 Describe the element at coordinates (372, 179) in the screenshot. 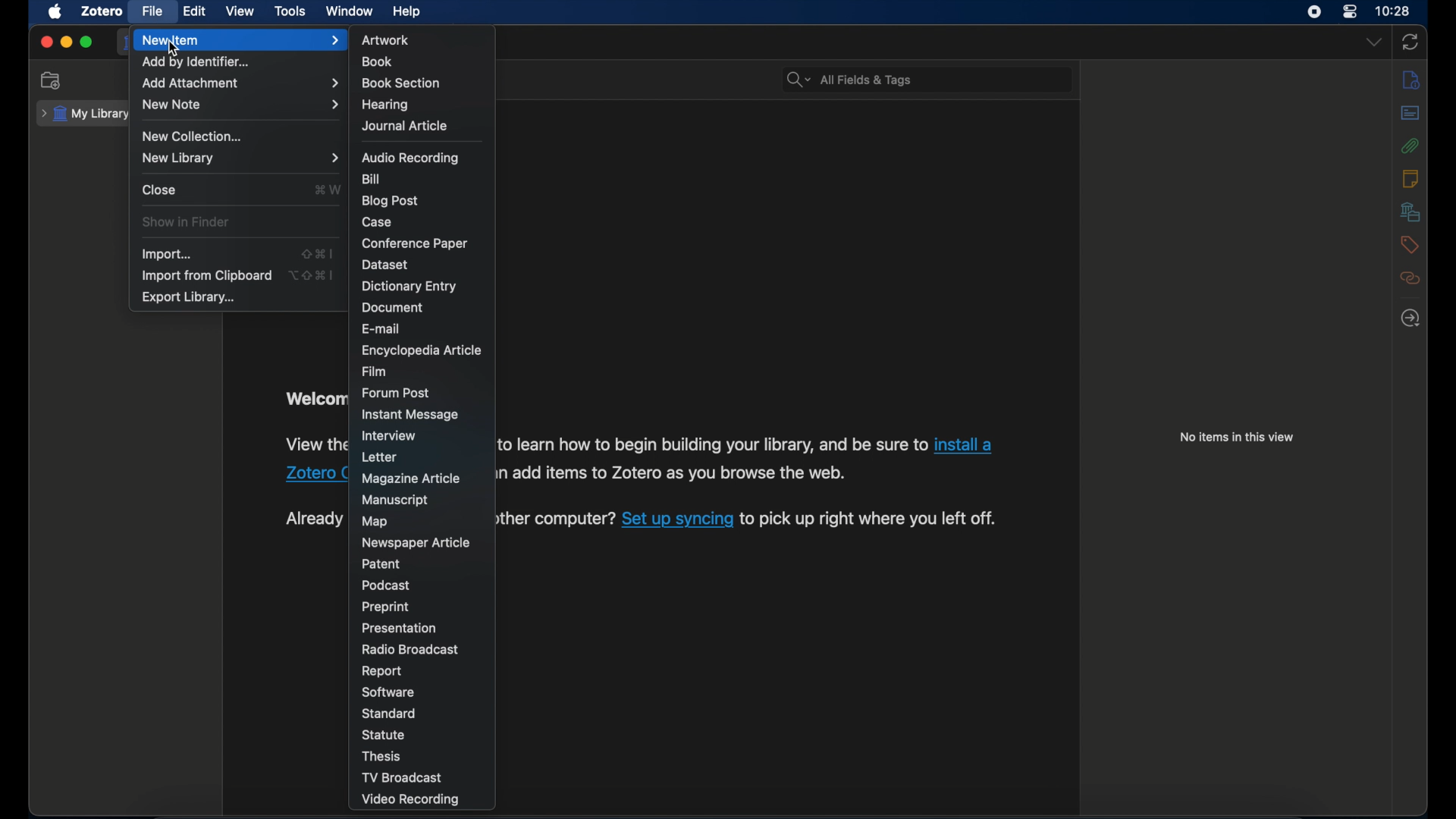

I see `bill` at that location.